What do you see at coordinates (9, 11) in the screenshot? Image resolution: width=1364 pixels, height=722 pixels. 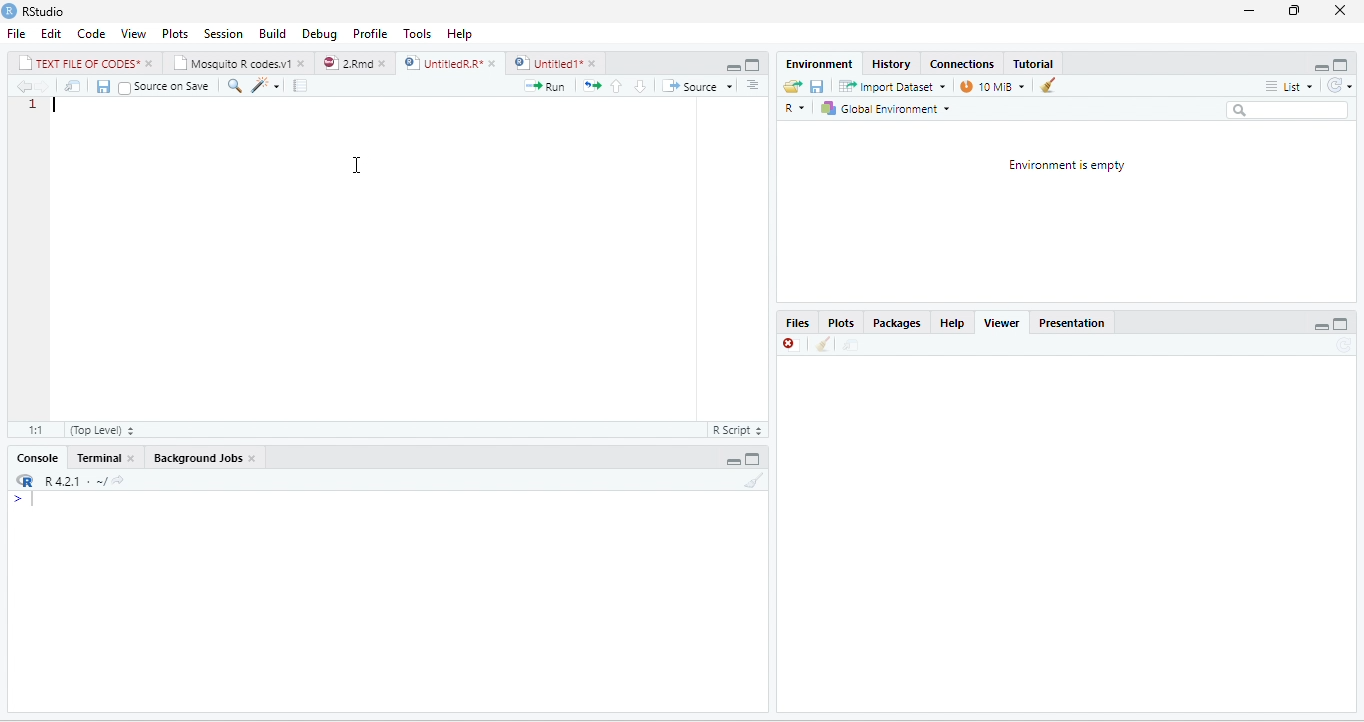 I see `RStudio logo` at bounding box center [9, 11].